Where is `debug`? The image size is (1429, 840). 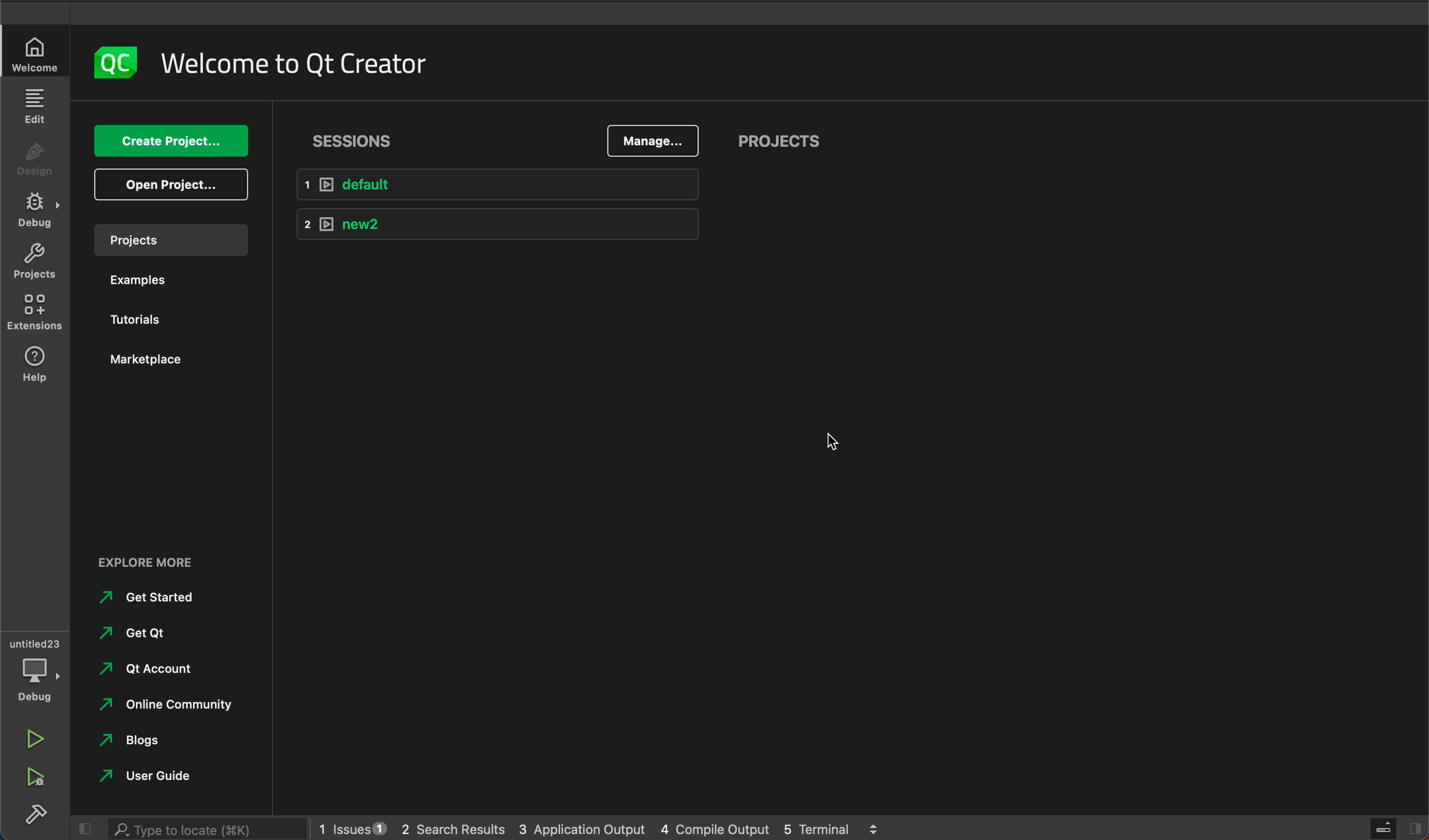
debug is located at coordinates (36, 214).